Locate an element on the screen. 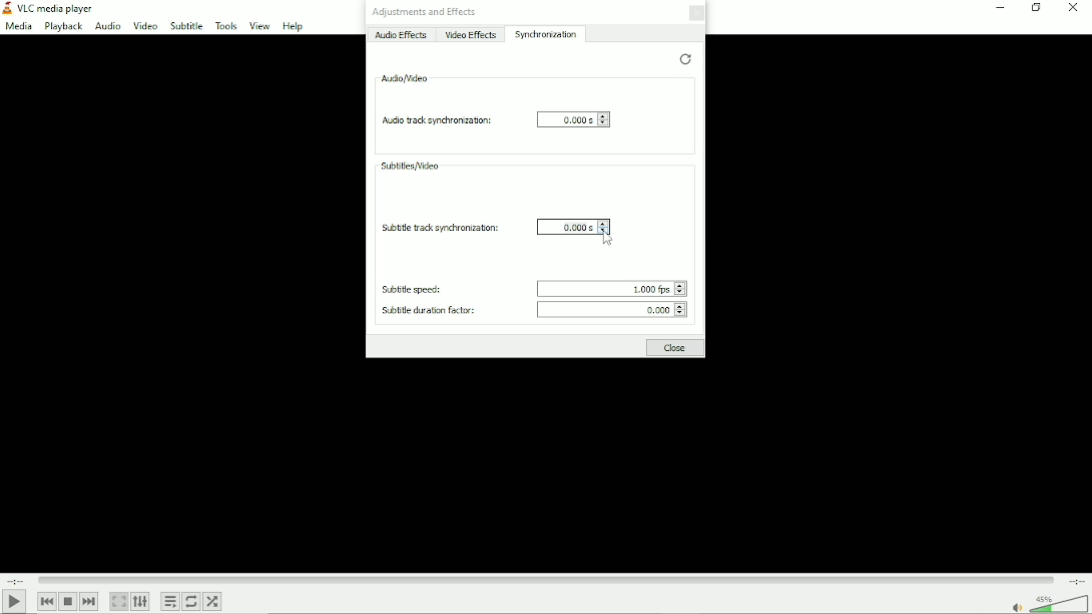  Toggle video in fullscreen is located at coordinates (119, 601).